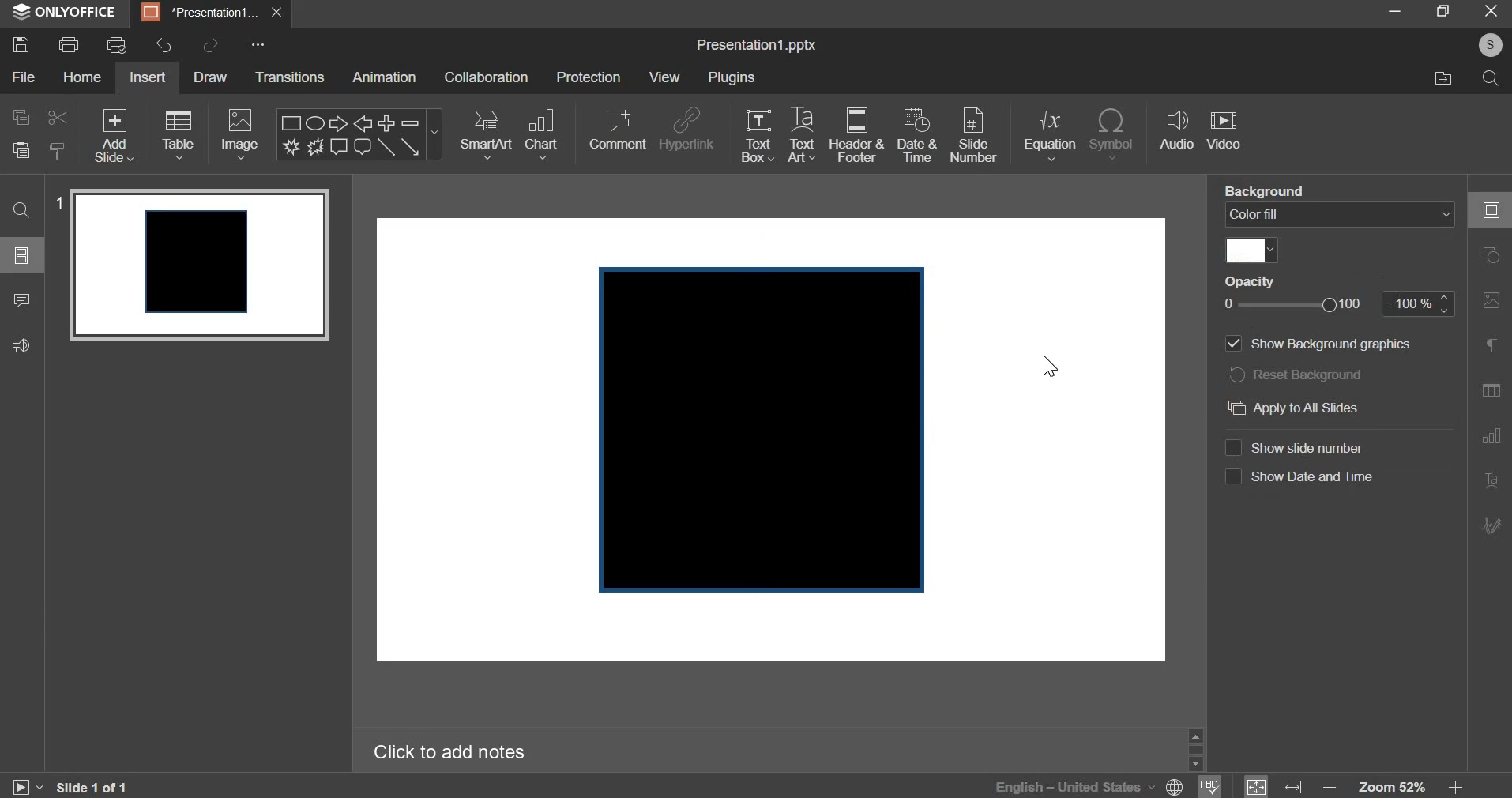 The image size is (1512, 798). I want to click on More , so click(261, 46).